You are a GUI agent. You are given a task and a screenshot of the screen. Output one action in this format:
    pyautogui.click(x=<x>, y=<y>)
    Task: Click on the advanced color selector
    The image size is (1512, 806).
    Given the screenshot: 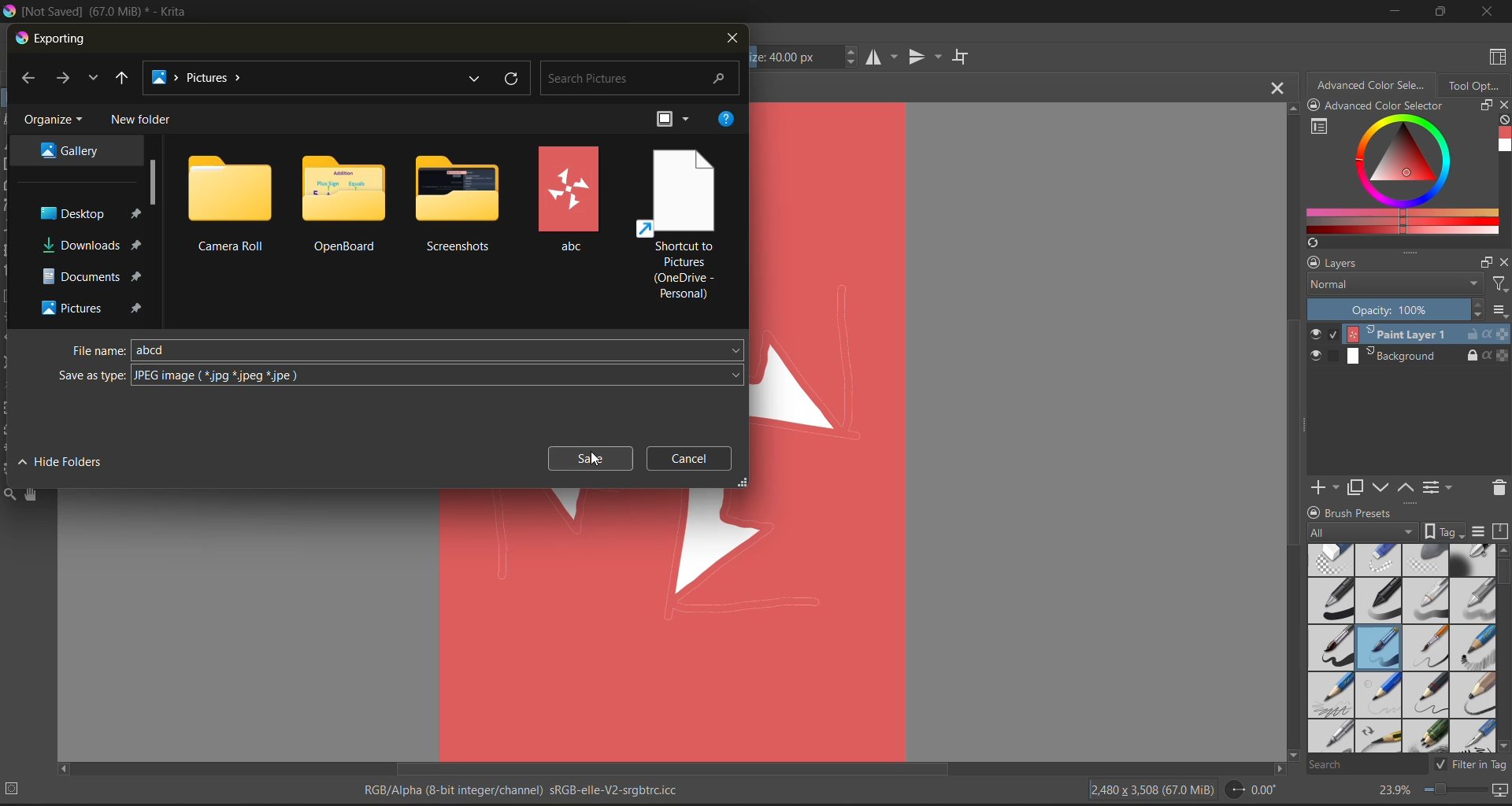 What is the action you would take?
    pyautogui.click(x=1374, y=87)
    